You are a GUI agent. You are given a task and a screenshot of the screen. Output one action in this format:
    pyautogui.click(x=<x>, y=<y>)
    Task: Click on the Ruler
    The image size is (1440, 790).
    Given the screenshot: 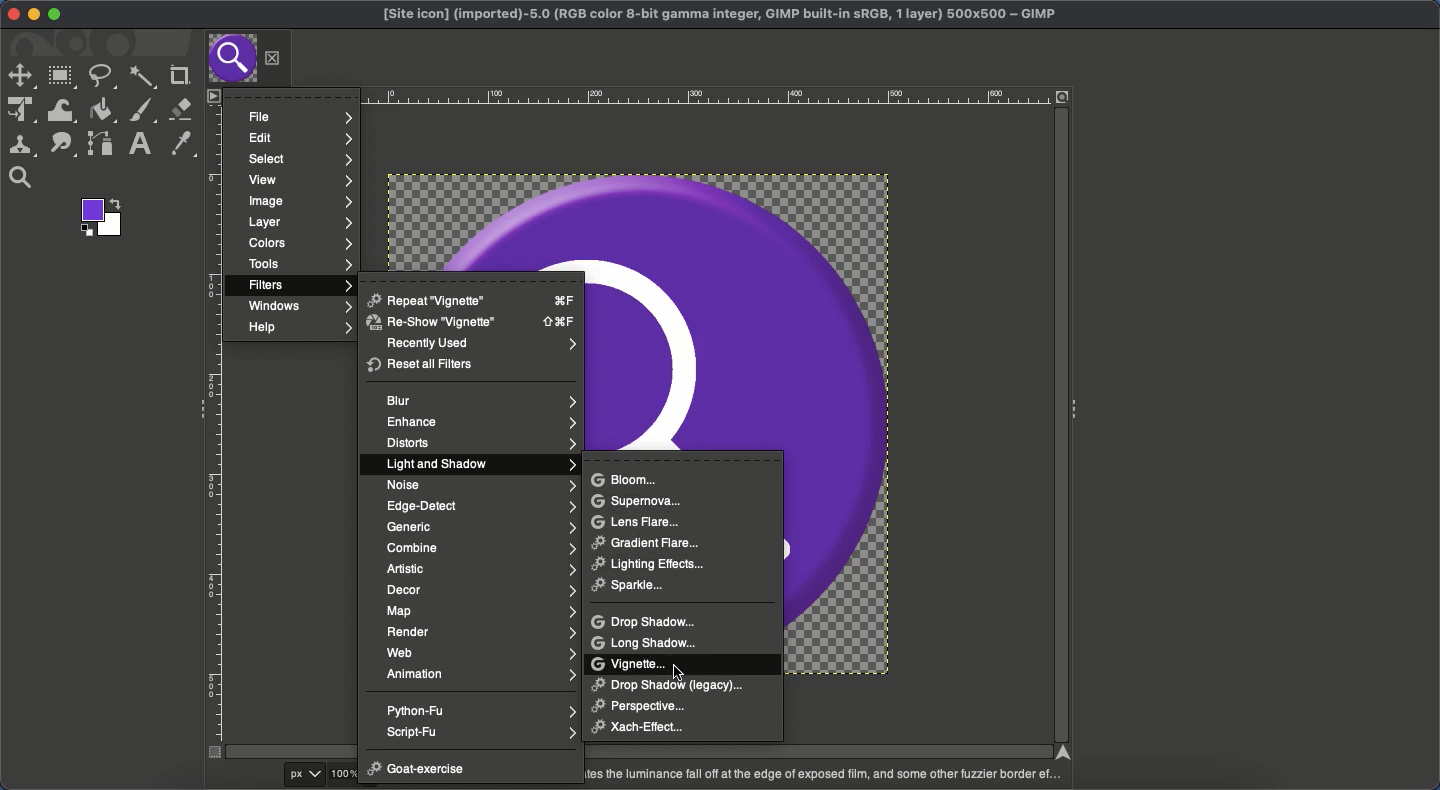 What is the action you would take?
    pyautogui.click(x=215, y=432)
    